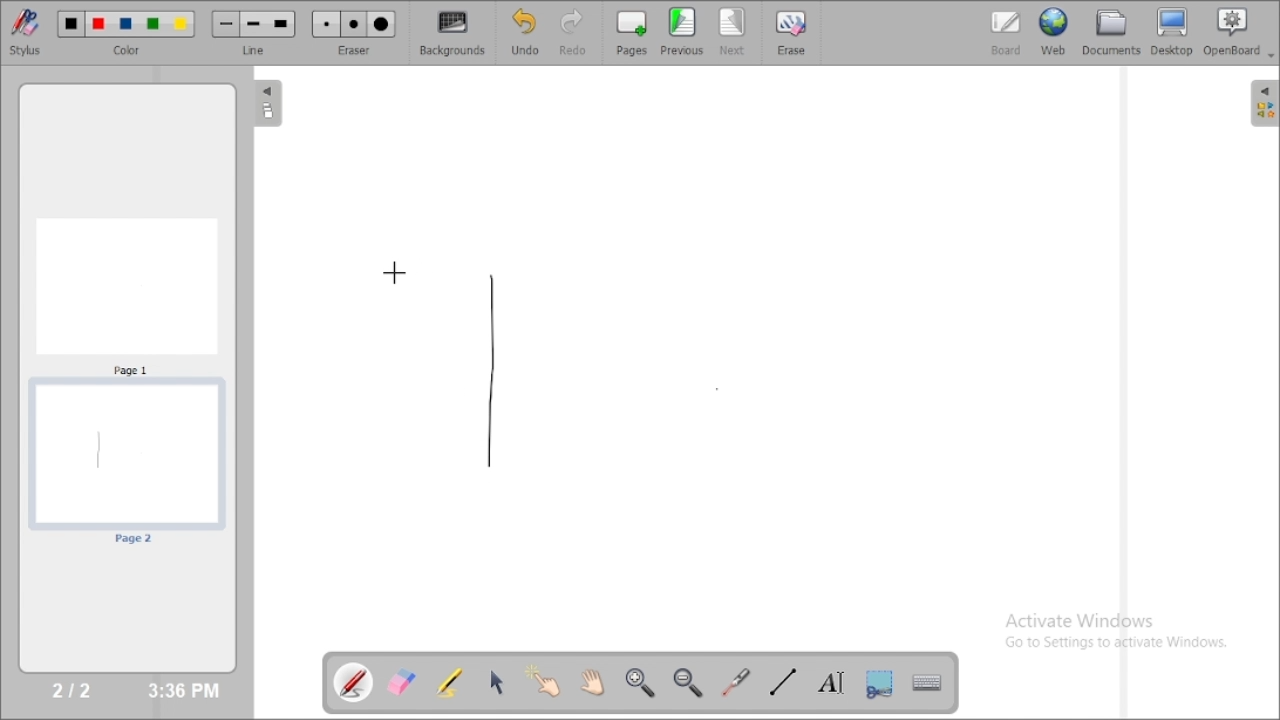  I want to click on Color 3, so click(126, 25).